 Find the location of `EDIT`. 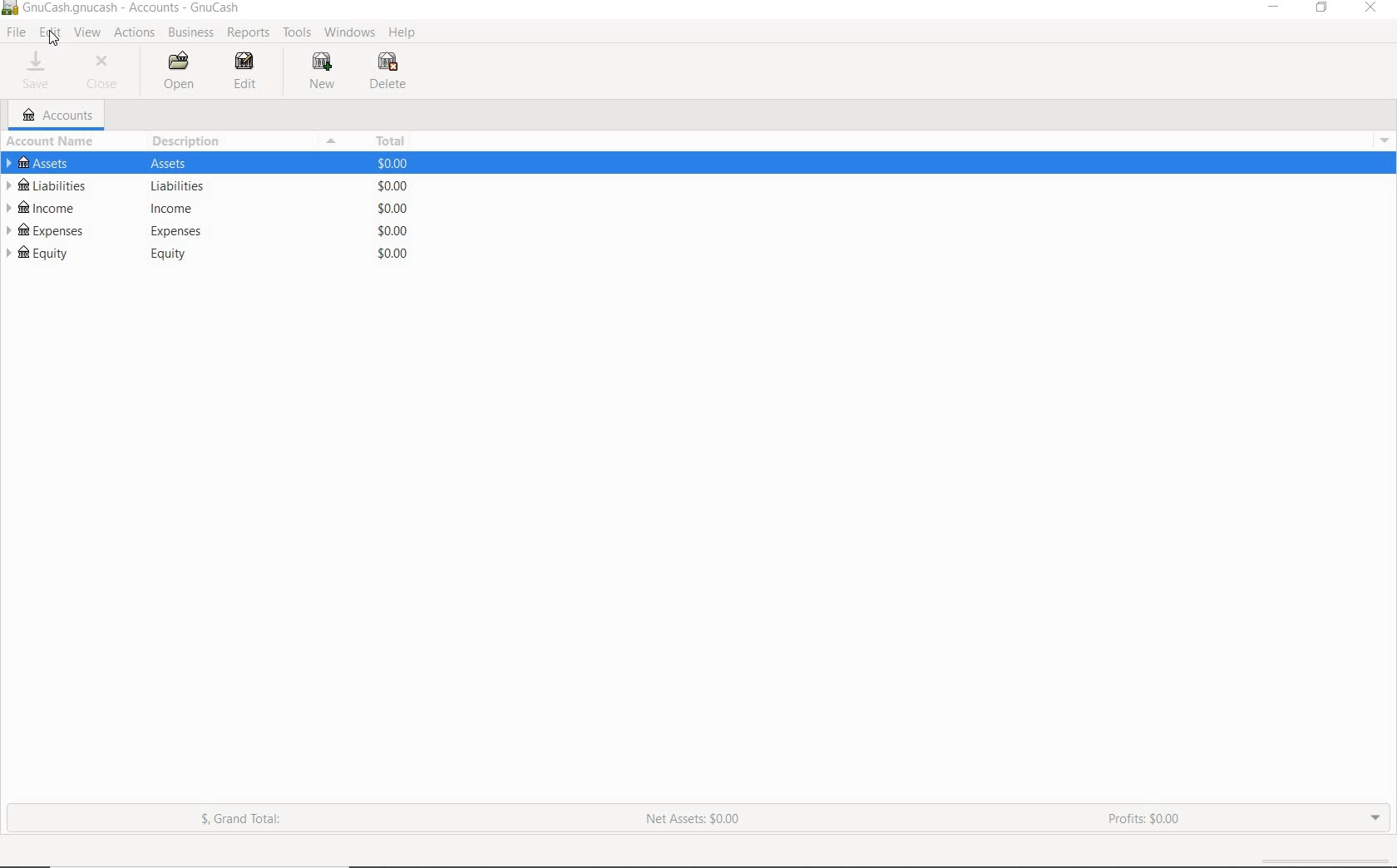

EDIT is located at coordinates (50, 33).